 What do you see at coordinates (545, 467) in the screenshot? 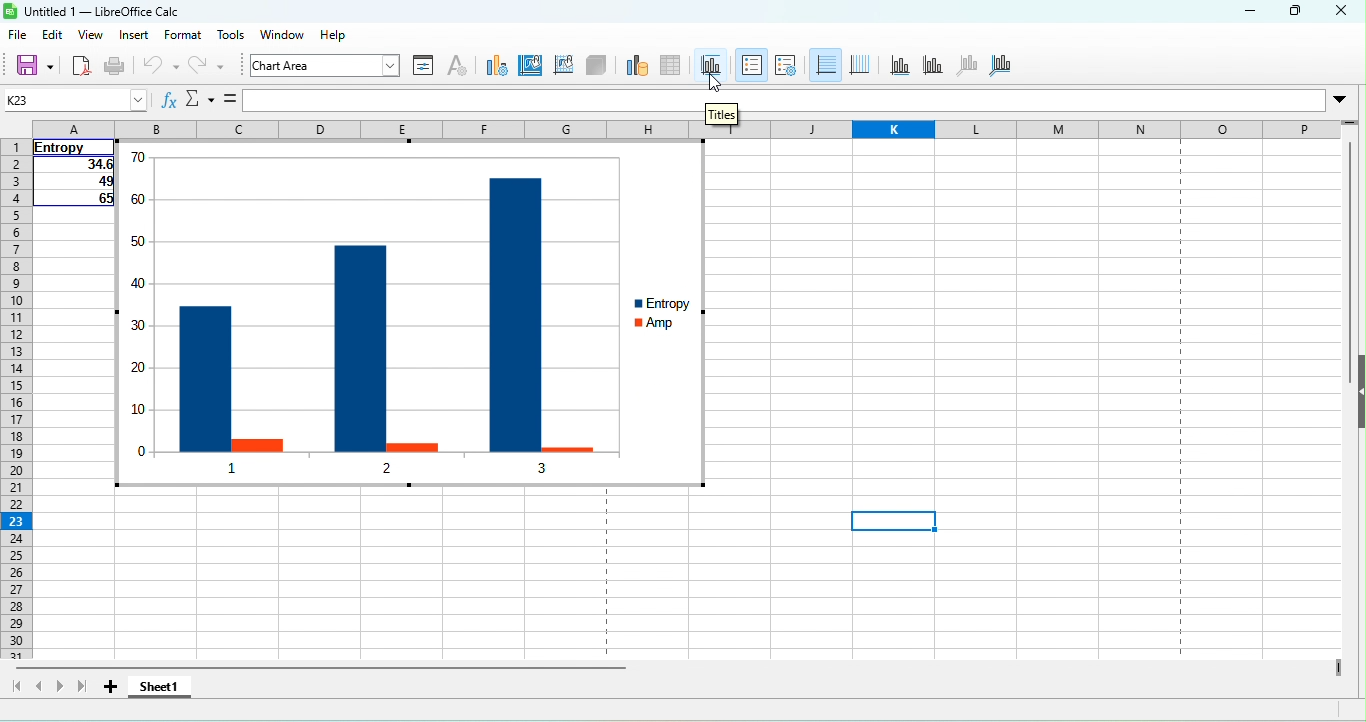
I see `3` at bounding box center [545, 467].